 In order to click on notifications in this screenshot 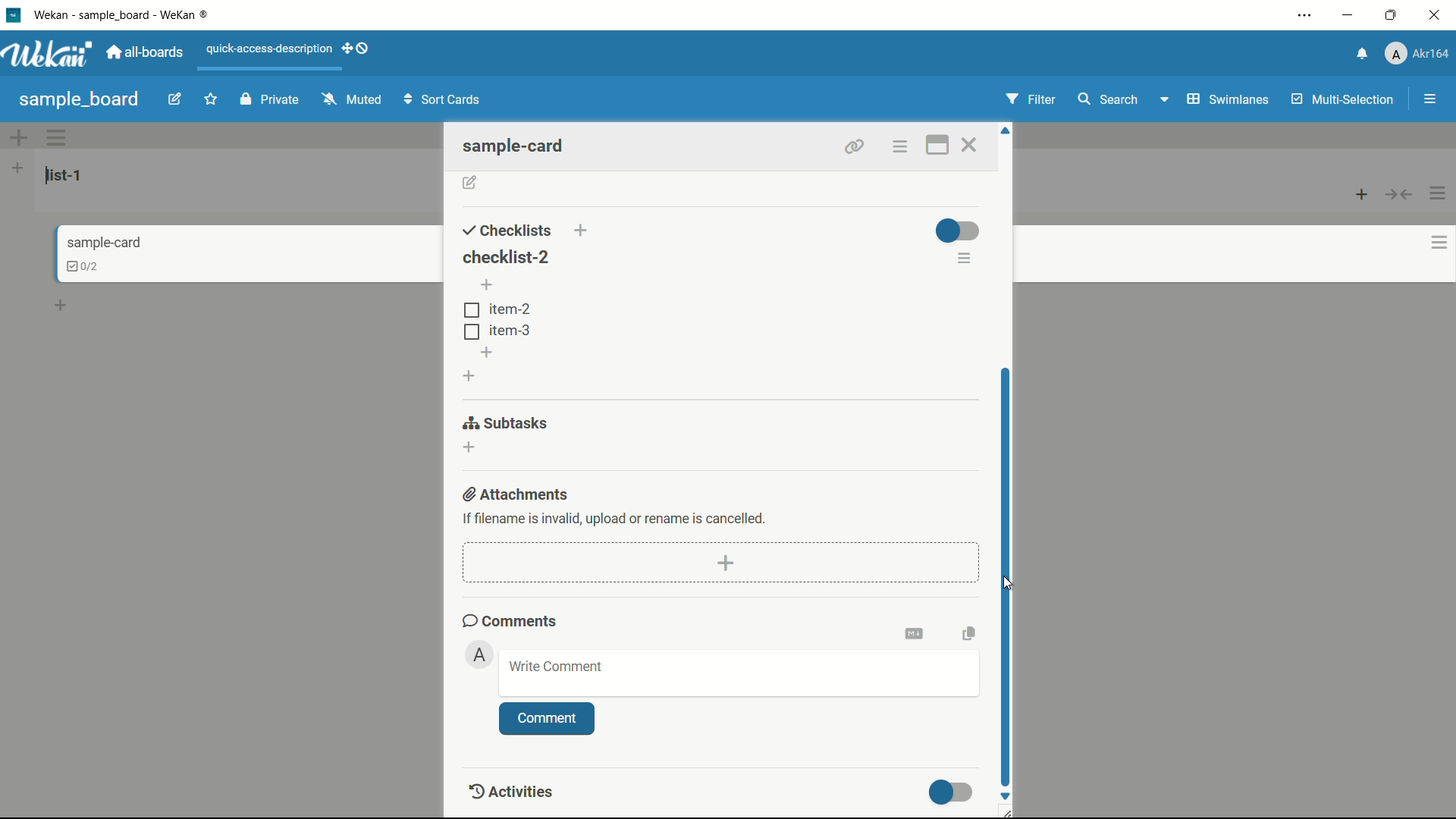, I will do `click(1363, 52)`.